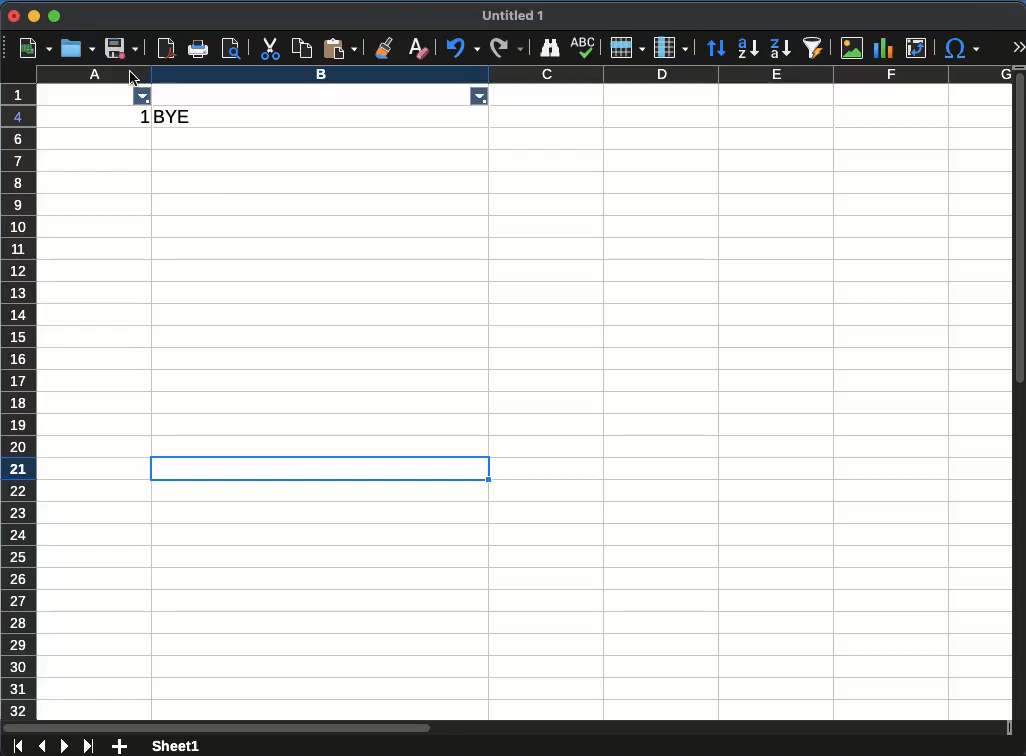 This screenshot has width=1026, height=756. I want to click on special characters, so click(961, 48).